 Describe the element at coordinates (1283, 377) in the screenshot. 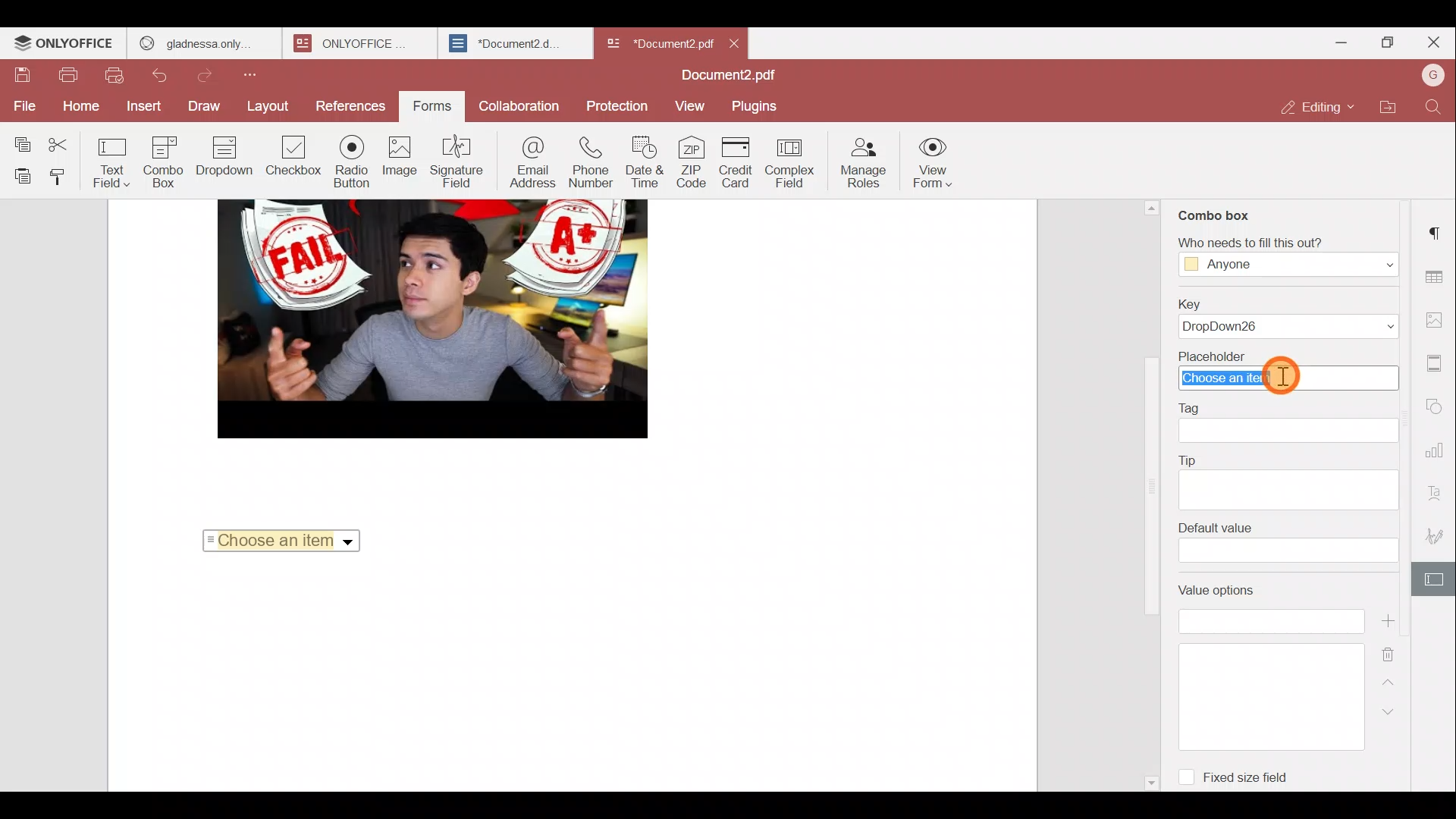

I see `Cursor` at that location.